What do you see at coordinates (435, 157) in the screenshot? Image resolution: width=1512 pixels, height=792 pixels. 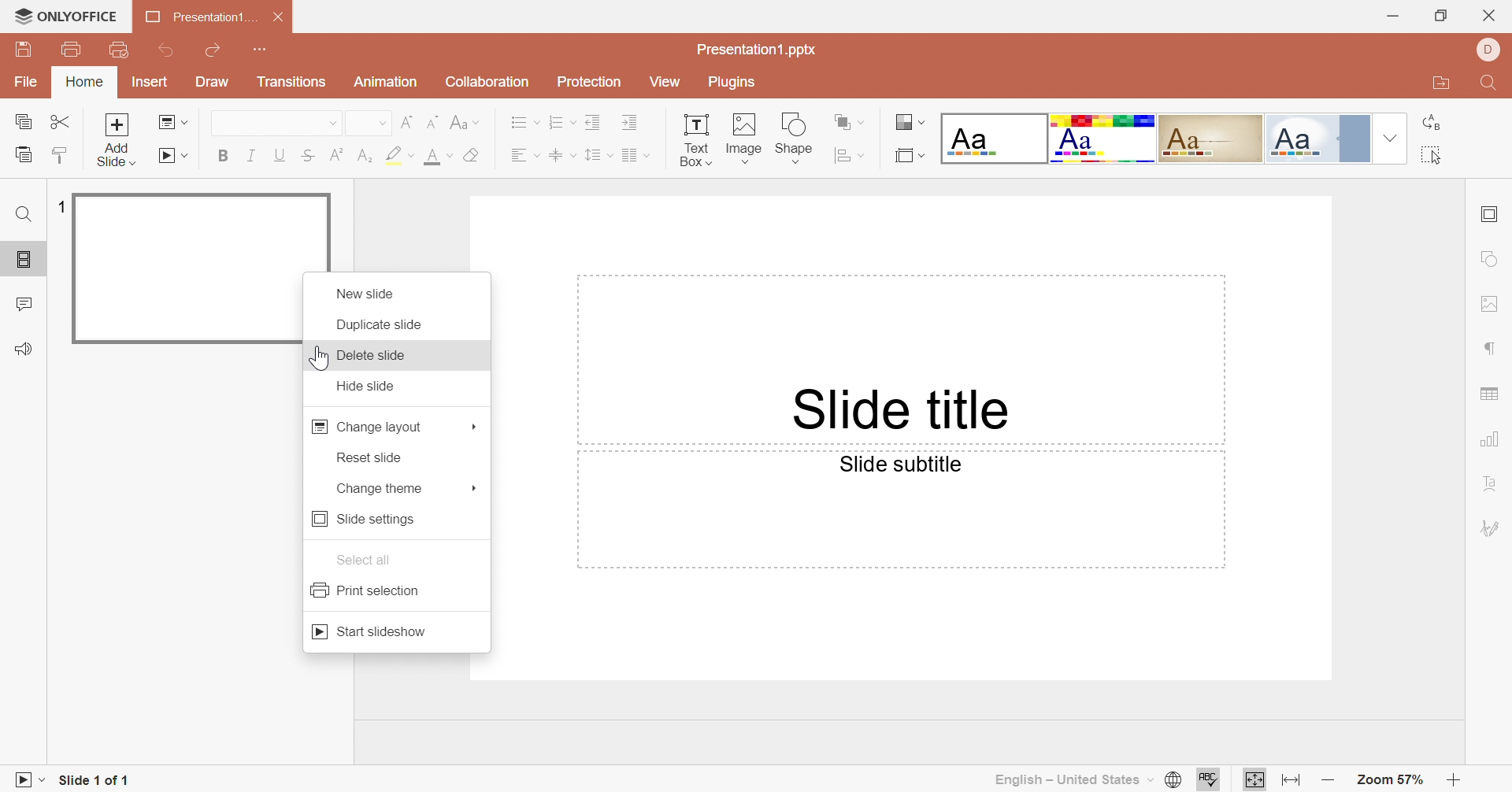 I see `Font color` at bounding box center [435, 157].